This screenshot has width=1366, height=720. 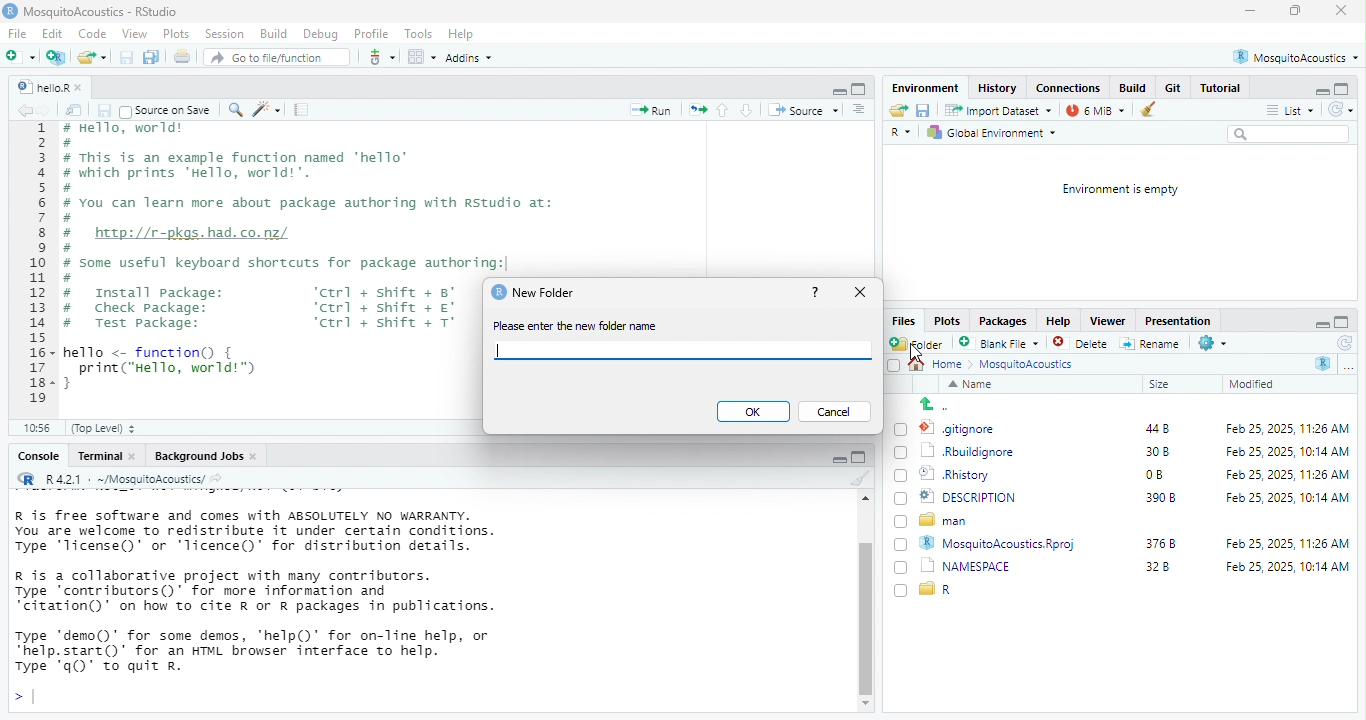 What do you see at coordinates (25, 479) in the screenshot?
I see `r studio logo` at bounding box center [25, 479].